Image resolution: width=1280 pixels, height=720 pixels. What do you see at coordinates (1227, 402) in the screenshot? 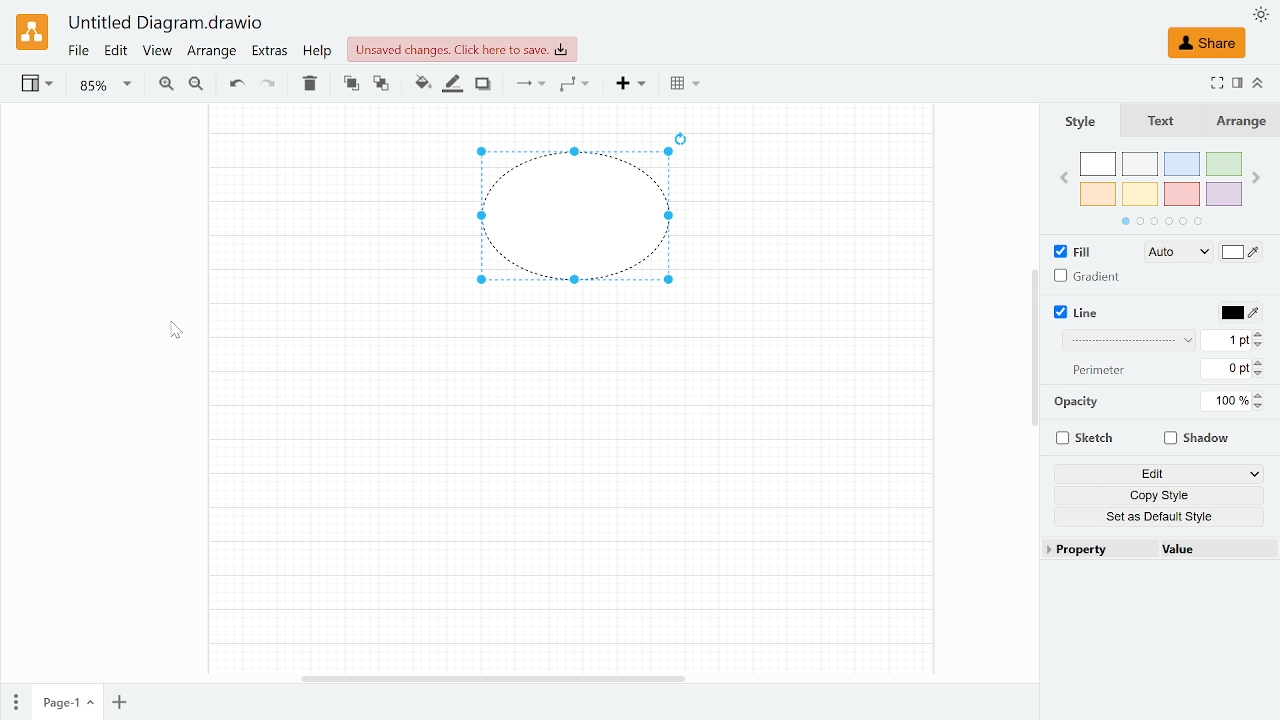
I see `Current opacity` at bounding box center [1227, 402].